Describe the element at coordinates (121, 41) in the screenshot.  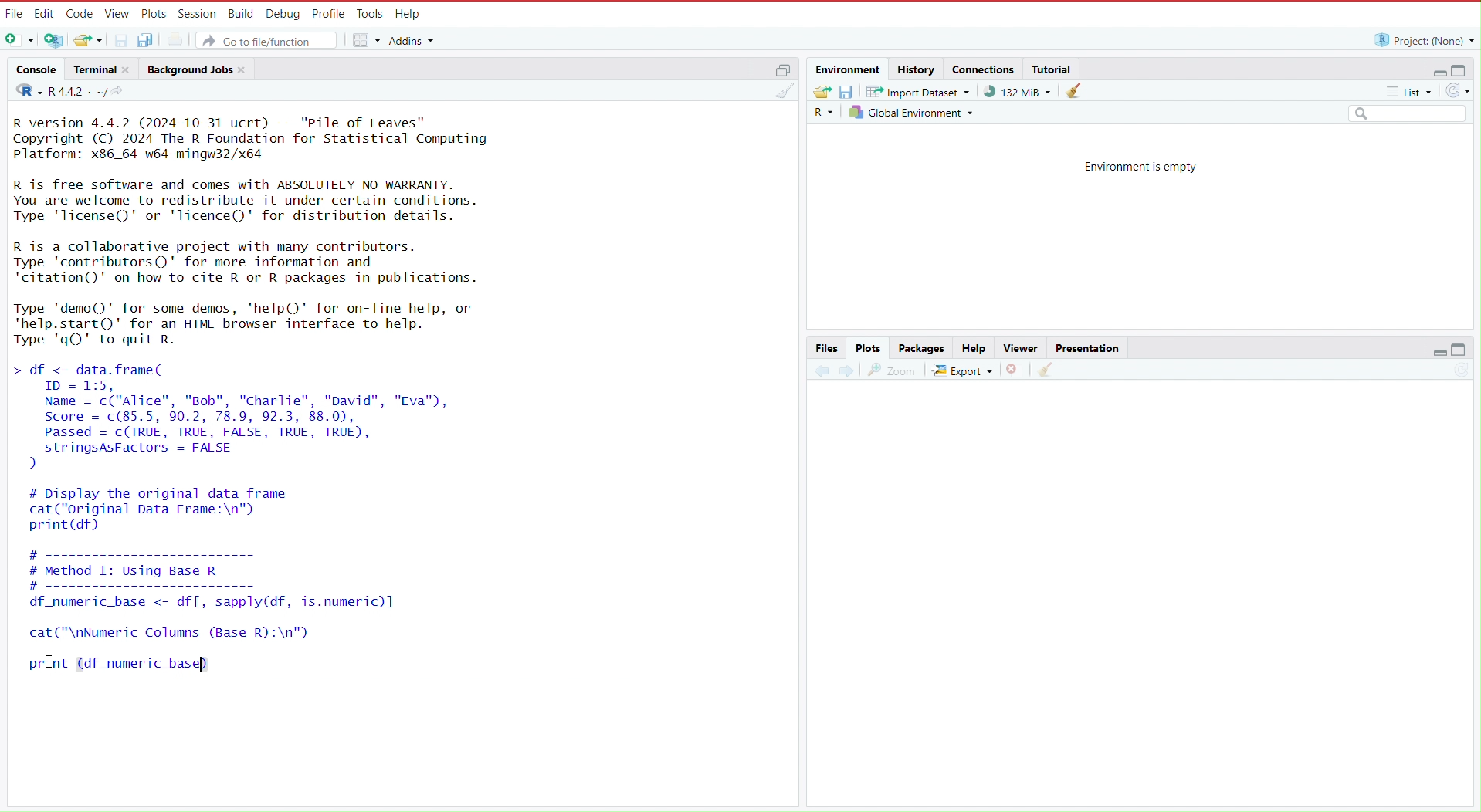
I see `save current document` at that location.